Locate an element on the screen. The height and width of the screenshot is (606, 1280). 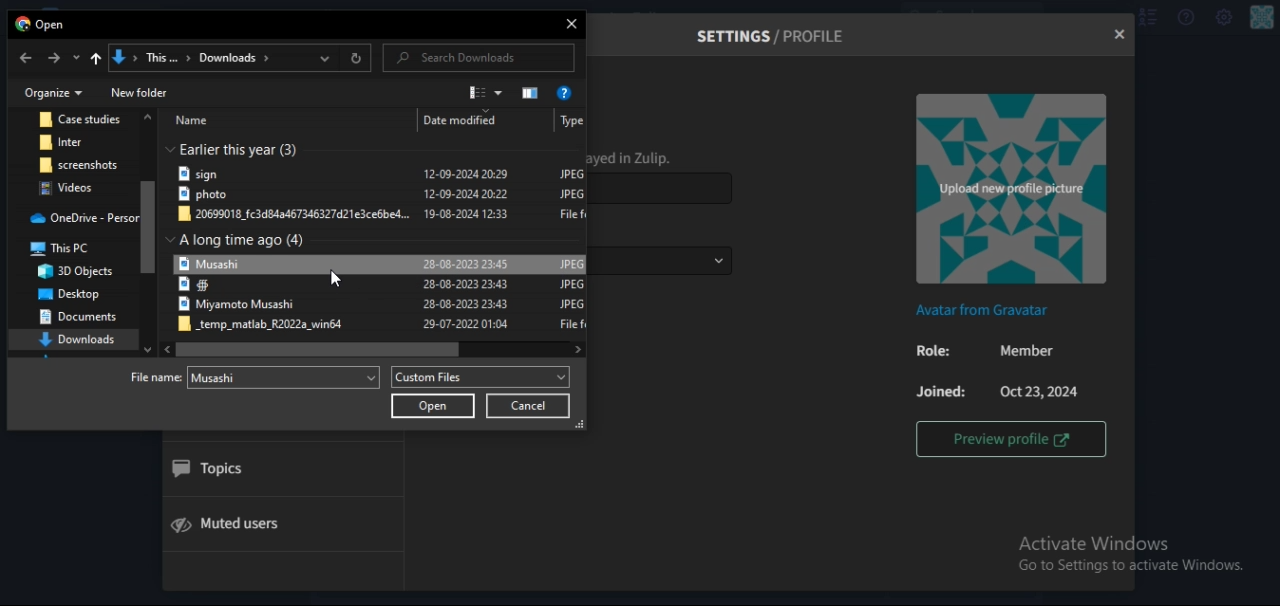
search is located at coordinates (463, 58).